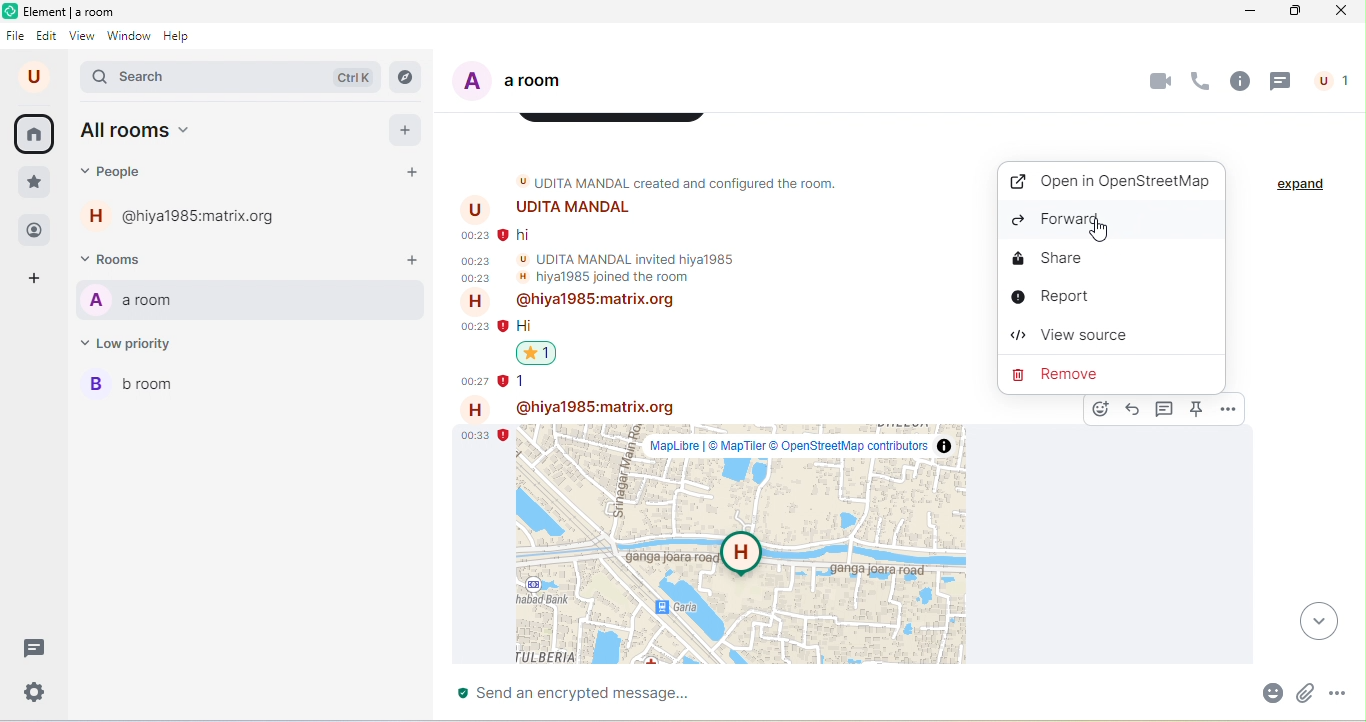  I want to click on hiya1985 joined the room, so click(604, 277).